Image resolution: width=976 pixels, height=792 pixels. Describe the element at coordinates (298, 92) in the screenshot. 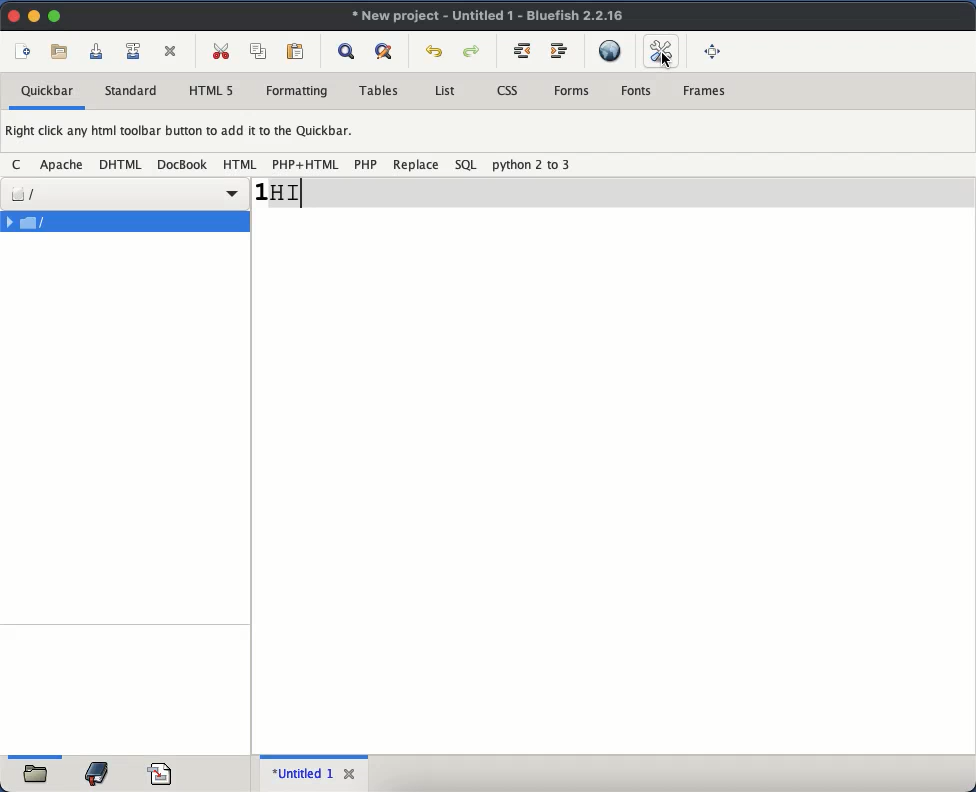

I see `formatting` at that location.